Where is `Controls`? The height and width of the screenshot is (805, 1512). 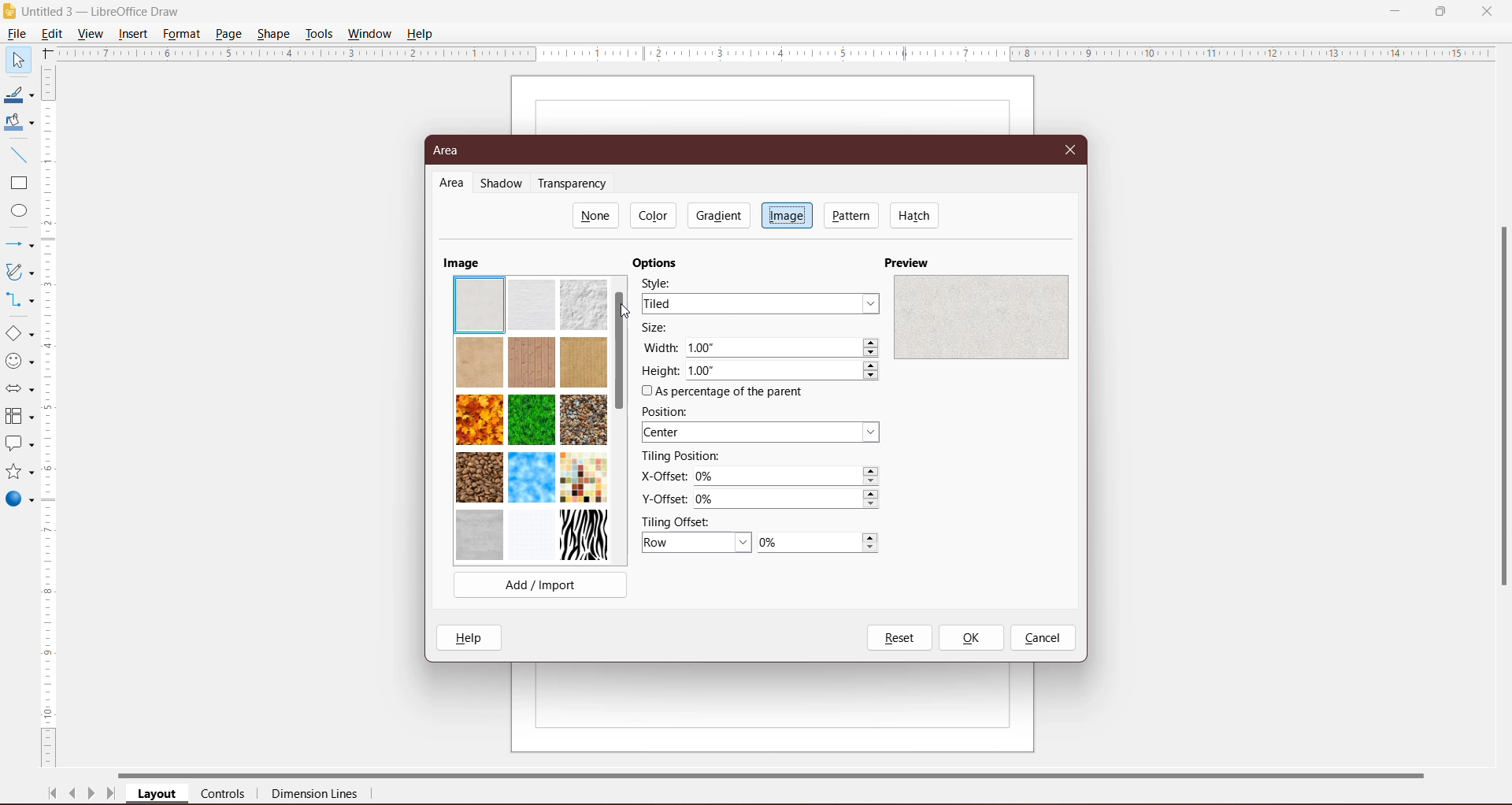 Controls is located at coordinates (228, 795).